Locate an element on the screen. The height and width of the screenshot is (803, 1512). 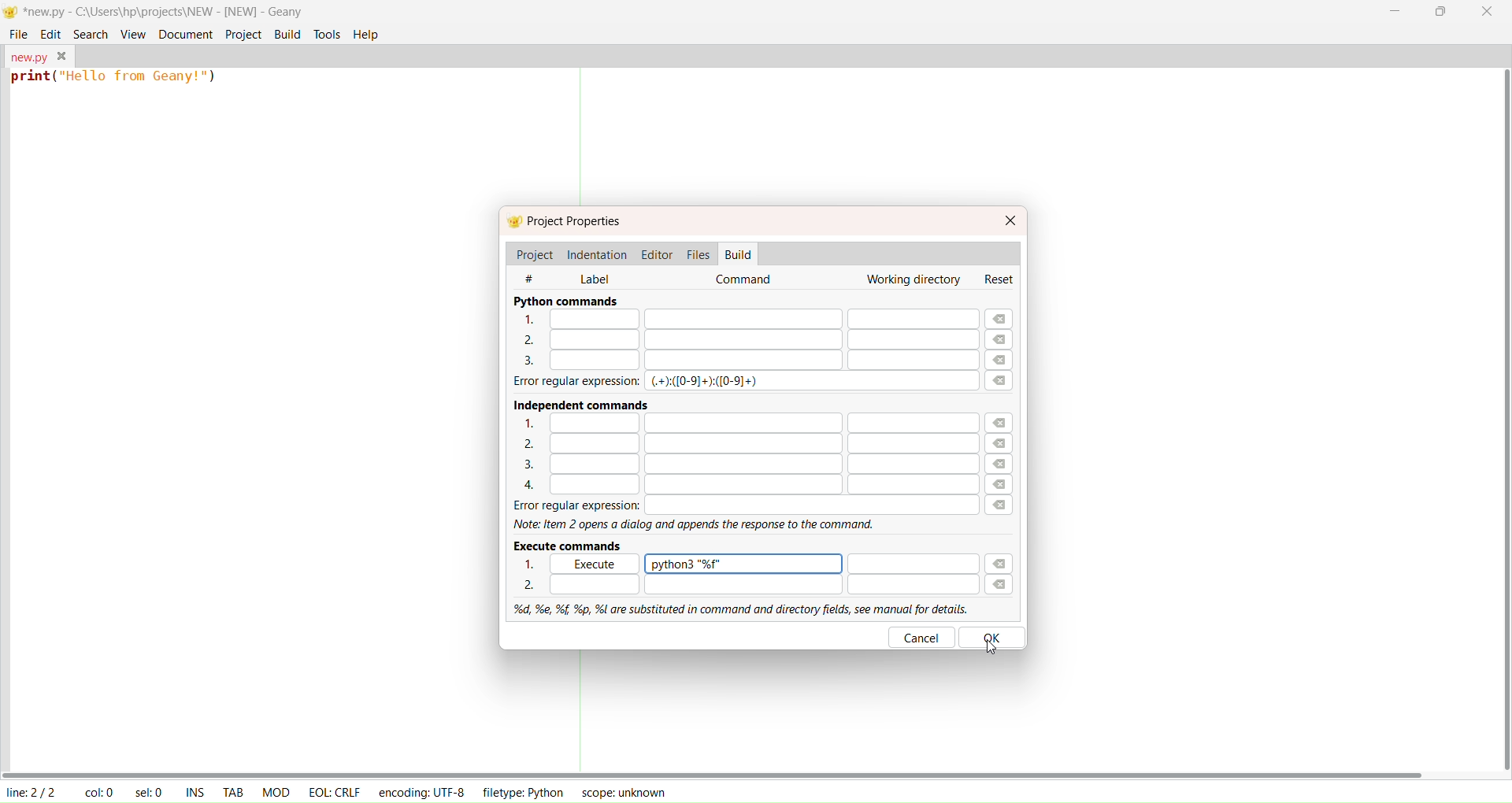
1. is located at coordinates (744, 320).